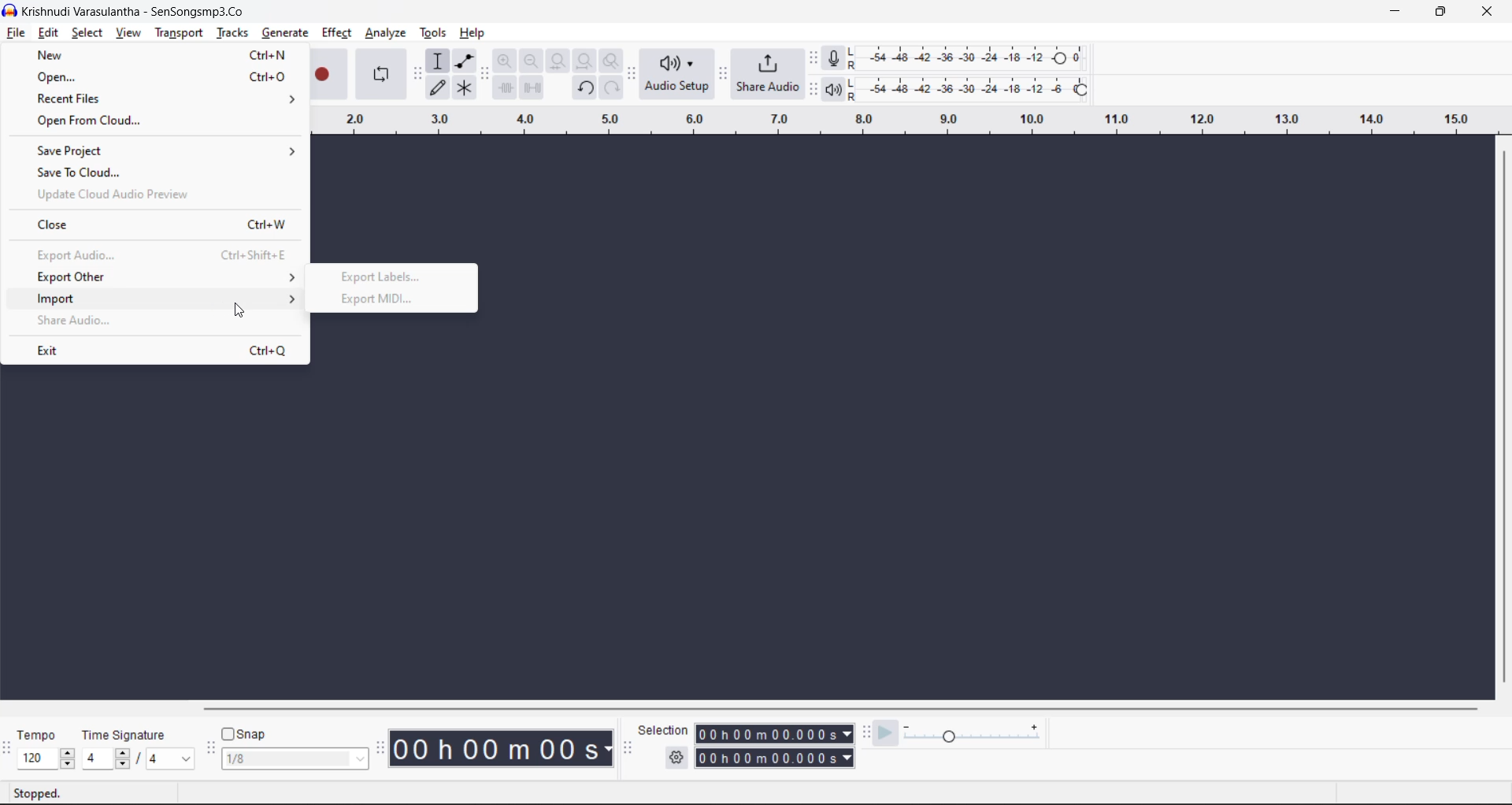  What do you see at coordinates (388, 33) in the screenshot?
I see `analyze` at bounding box center [388, 33].